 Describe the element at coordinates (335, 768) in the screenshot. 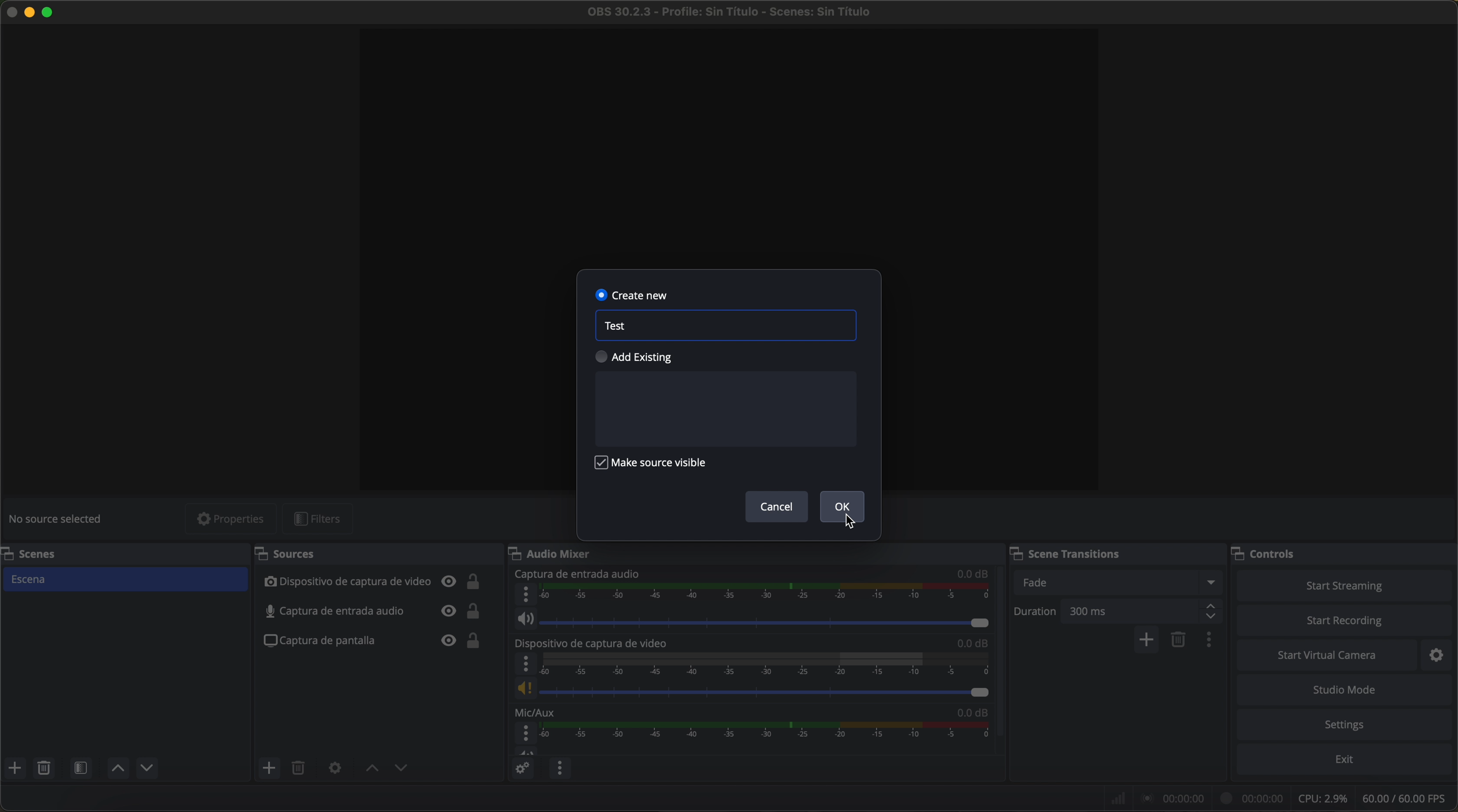

I see `open source properties` at that location.